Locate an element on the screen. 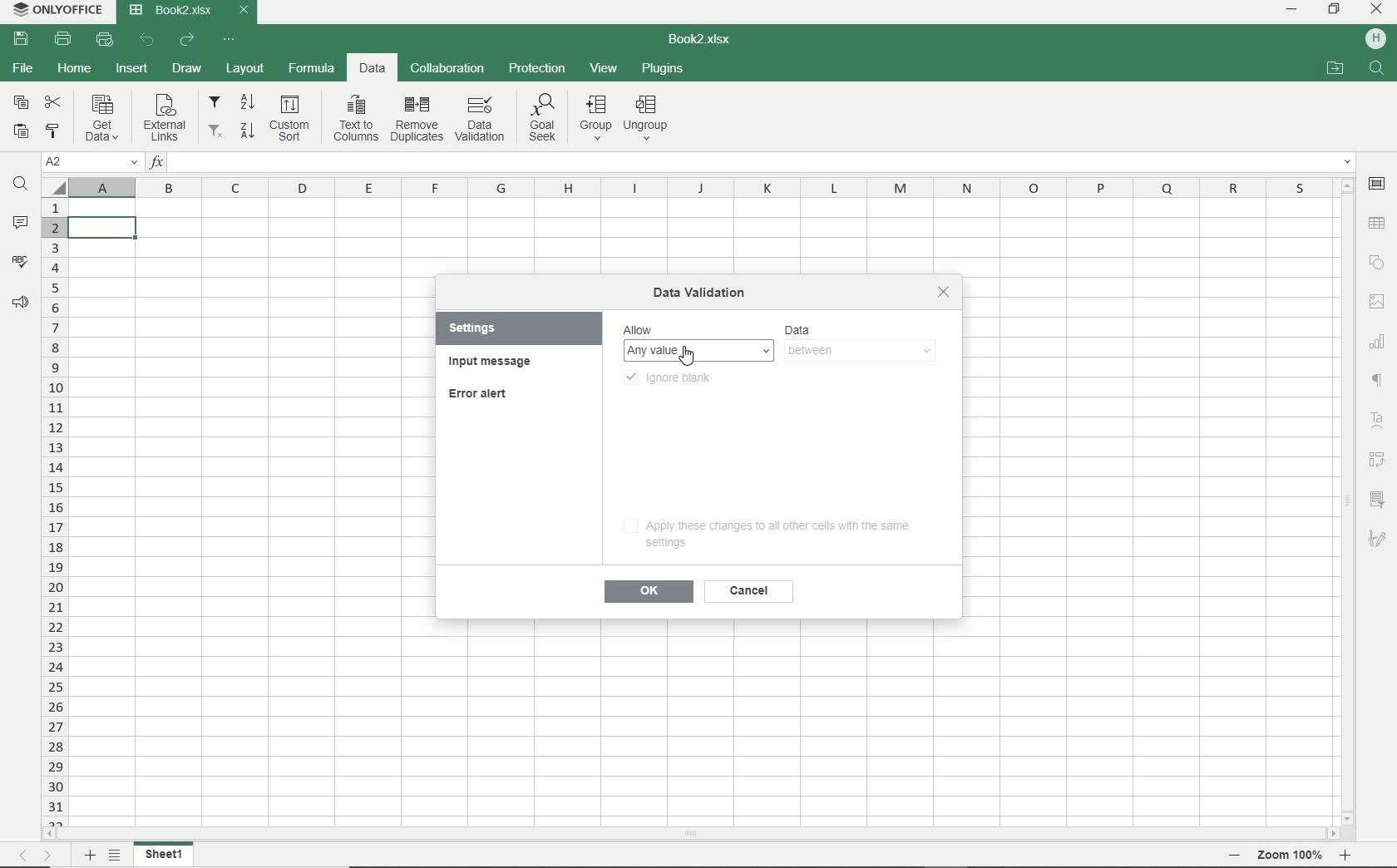 The image size is (1397, 868). text to columns is located at coordinates (357, 117).